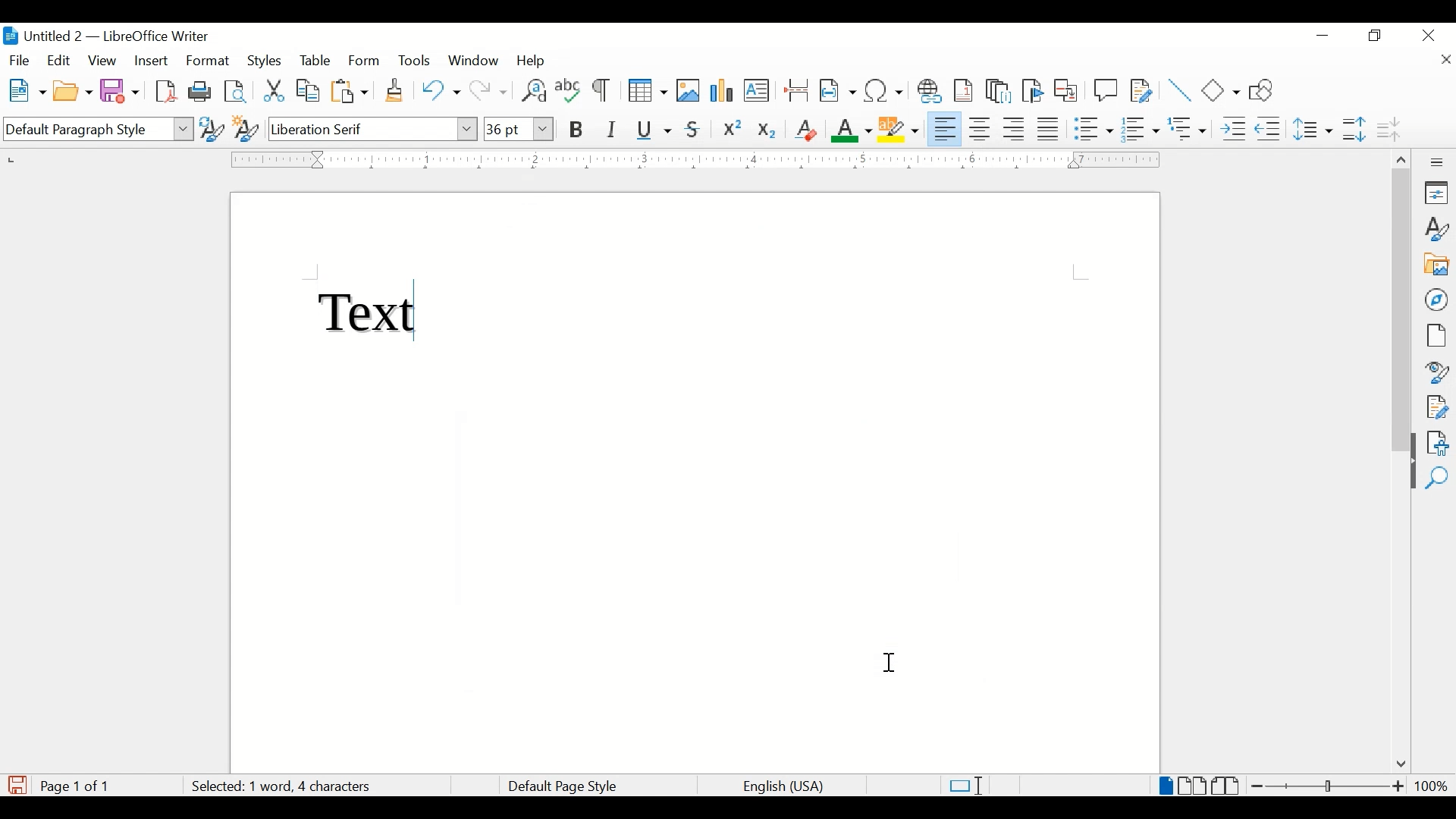 This screenshot has height=819, width=1456. I want to click on export directly as pdf, so click(168, 92).